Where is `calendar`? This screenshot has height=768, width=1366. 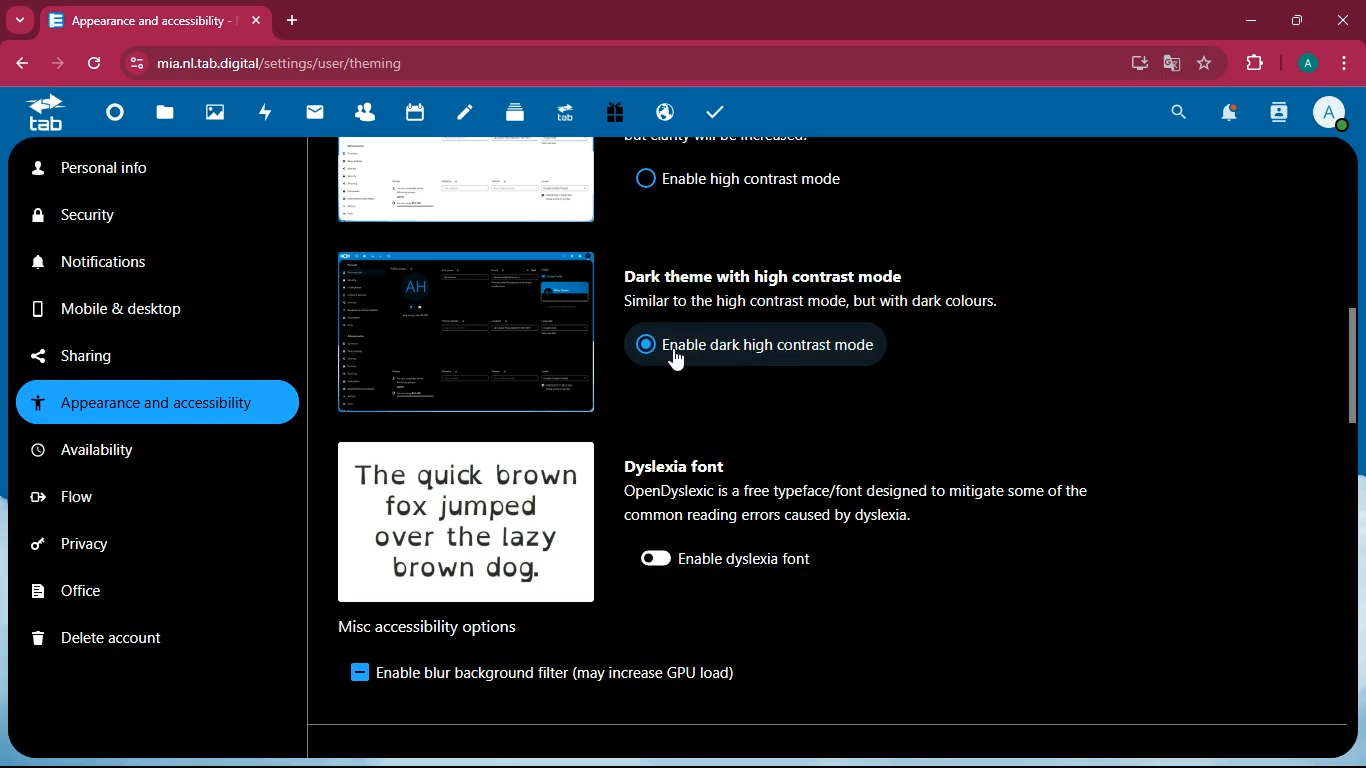
calendar is located at coordinates (419, 118).